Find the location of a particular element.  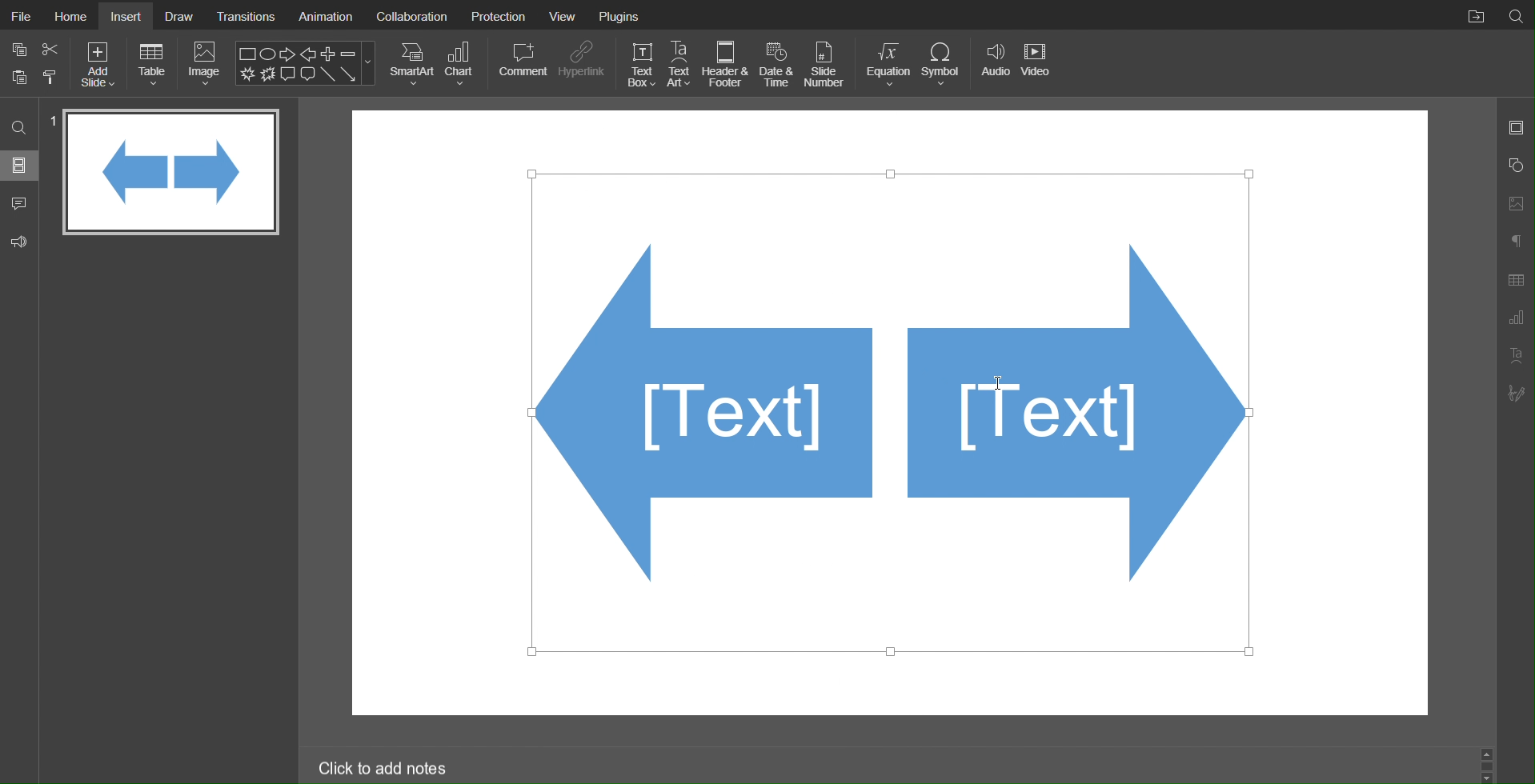

Comment  is located at coordinates (522, 64).